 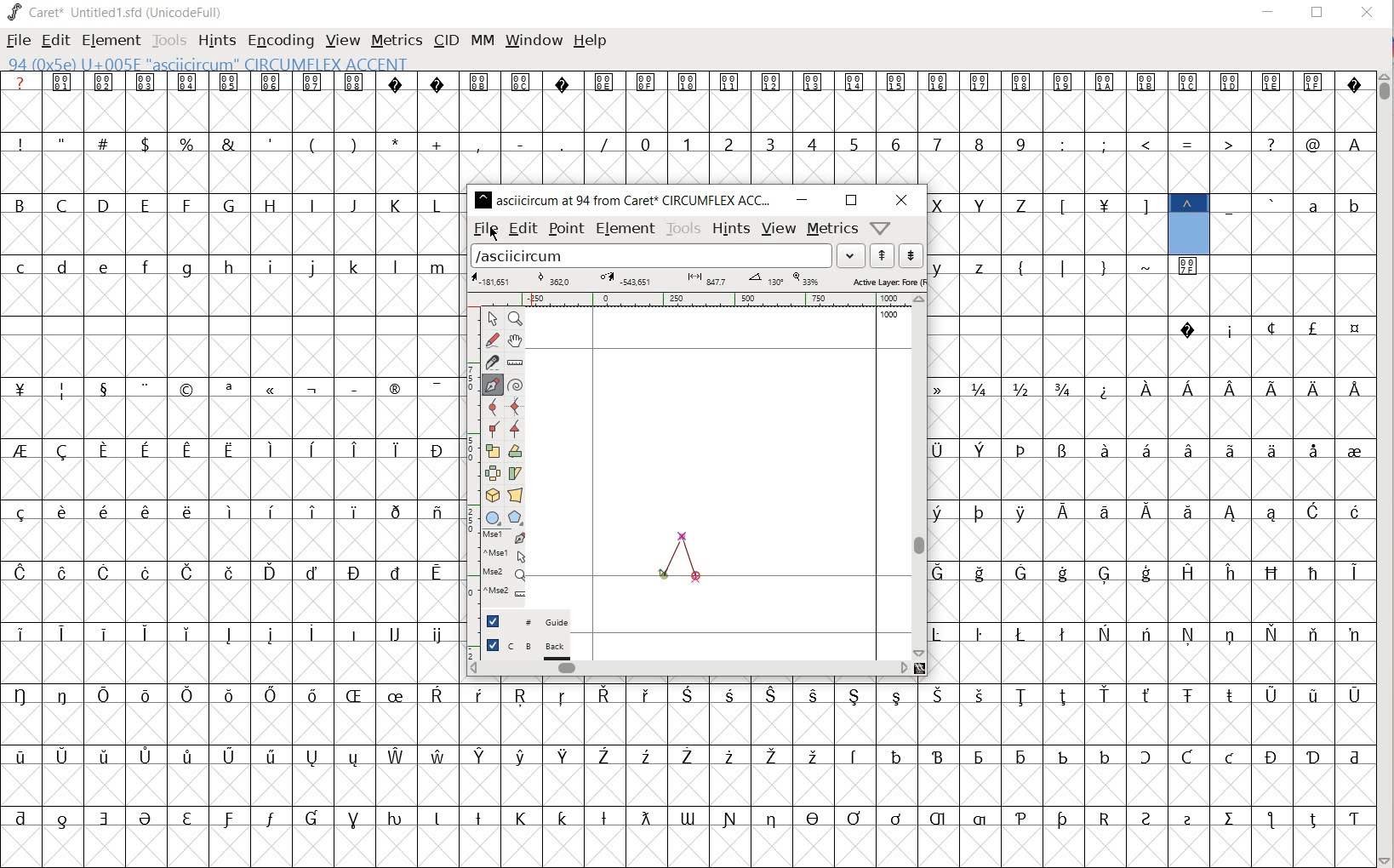 What do you see at coordinates (517, 494) in the screenshot?
I see `perform a perspective transformation on the selection` at bounding box center [517, 494].